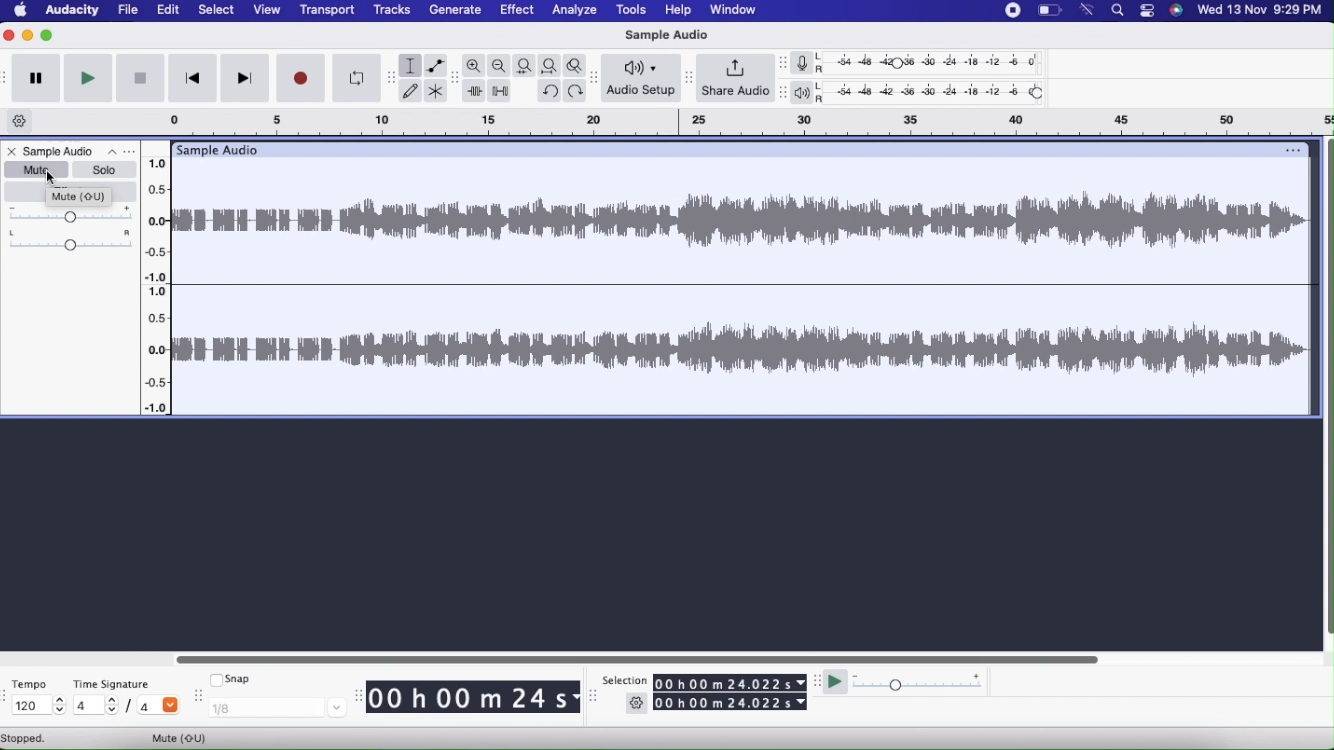  I want to click on Redo, so click(576, 91).